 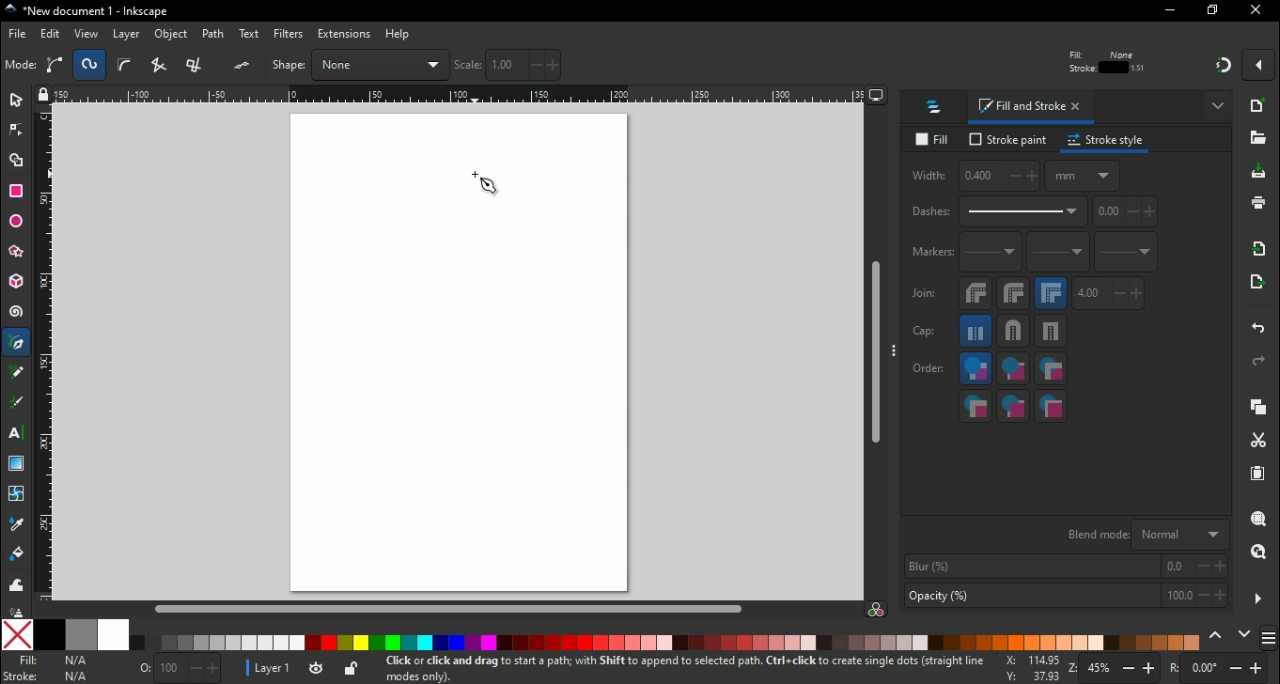 What do you see at coordinates (992, 257) in the screenshot?
I see `start marker` at bounding box center [992, 257].